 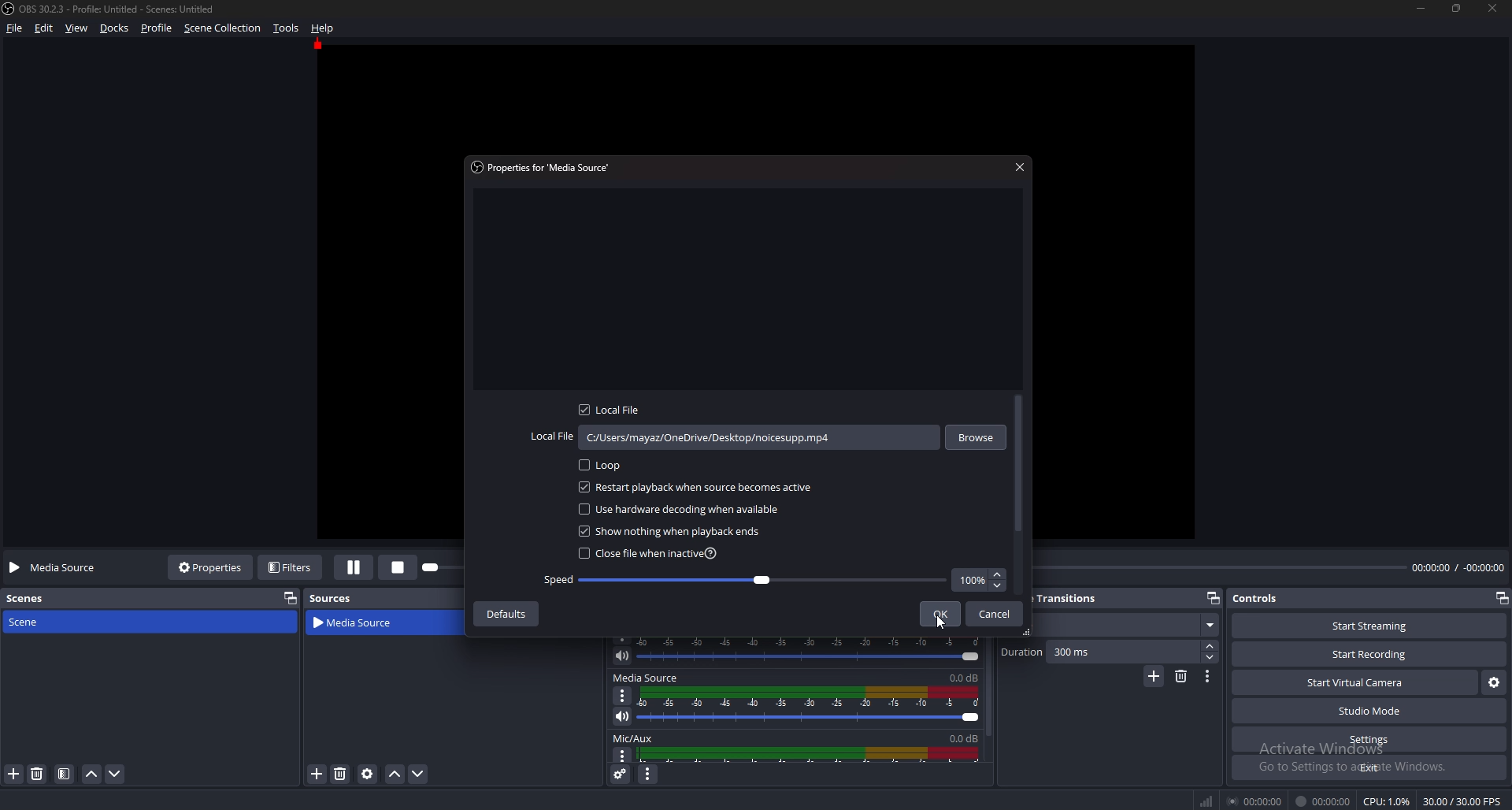 What do you see at coordinates (1372, 626) in the screenshot?
I see `Start streaming` at bounding box center [1372, 626].